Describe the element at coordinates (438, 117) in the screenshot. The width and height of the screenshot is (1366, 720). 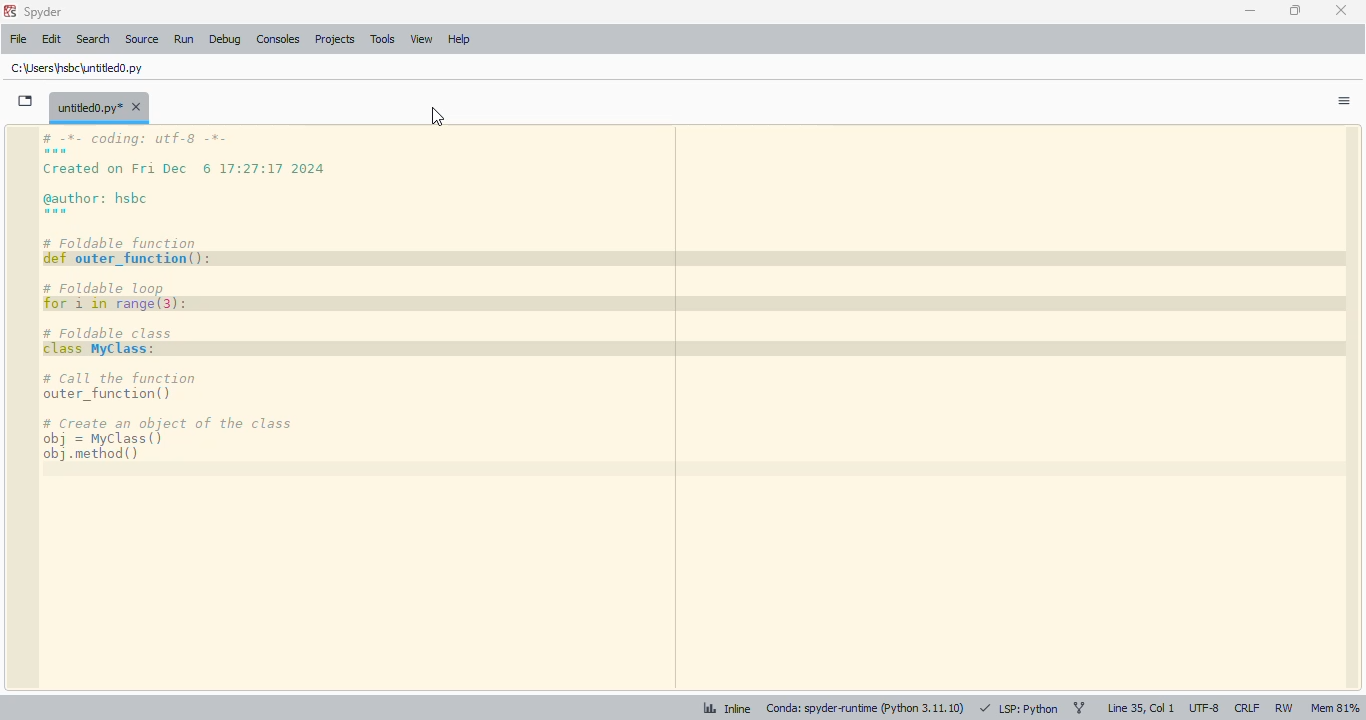
I see `cursor` at that location.